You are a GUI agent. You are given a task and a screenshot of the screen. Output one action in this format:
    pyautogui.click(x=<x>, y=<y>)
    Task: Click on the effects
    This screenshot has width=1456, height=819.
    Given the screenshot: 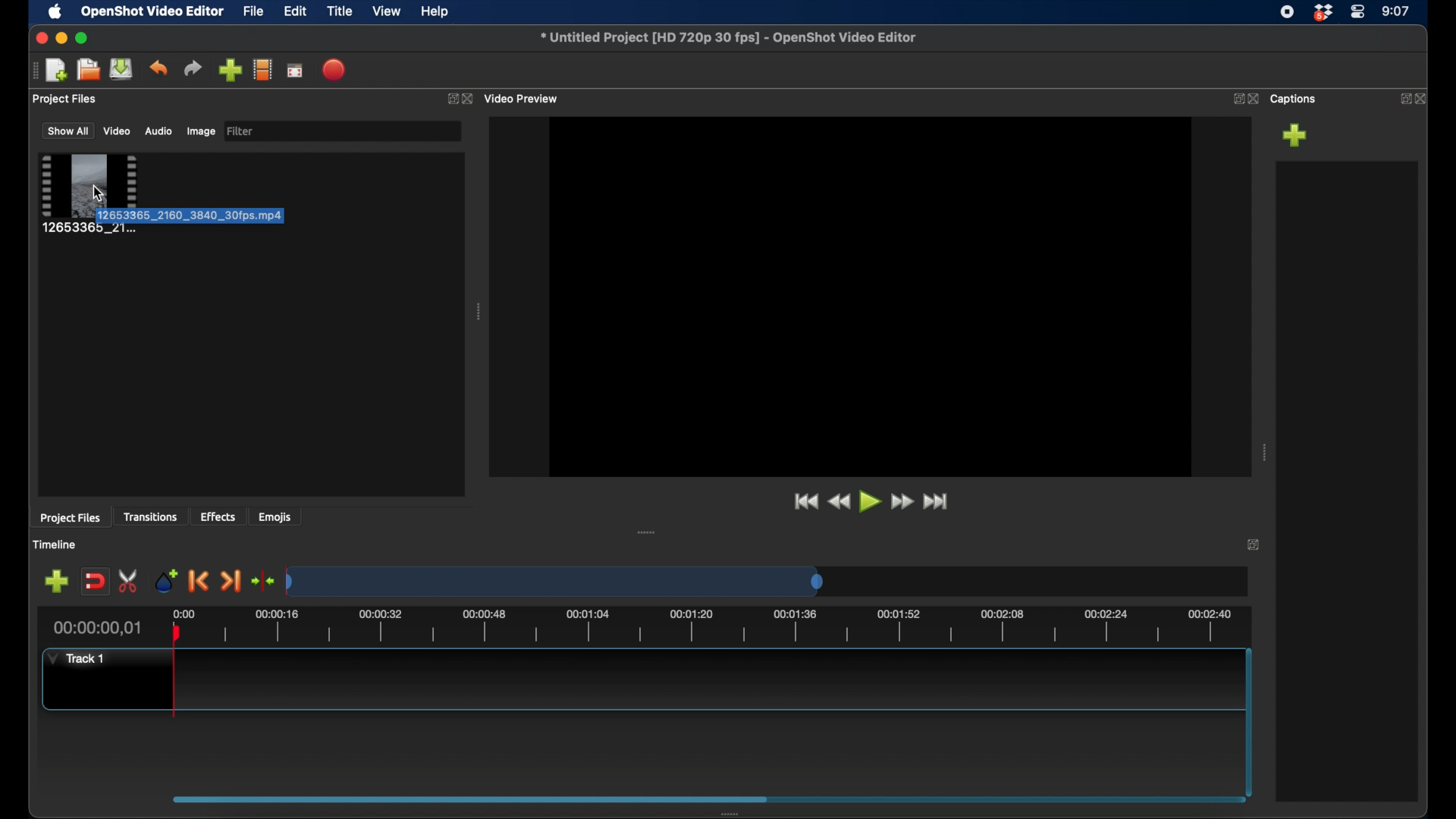 What is the action you would take?
    pyautogui.click(x=218, y=516)
    